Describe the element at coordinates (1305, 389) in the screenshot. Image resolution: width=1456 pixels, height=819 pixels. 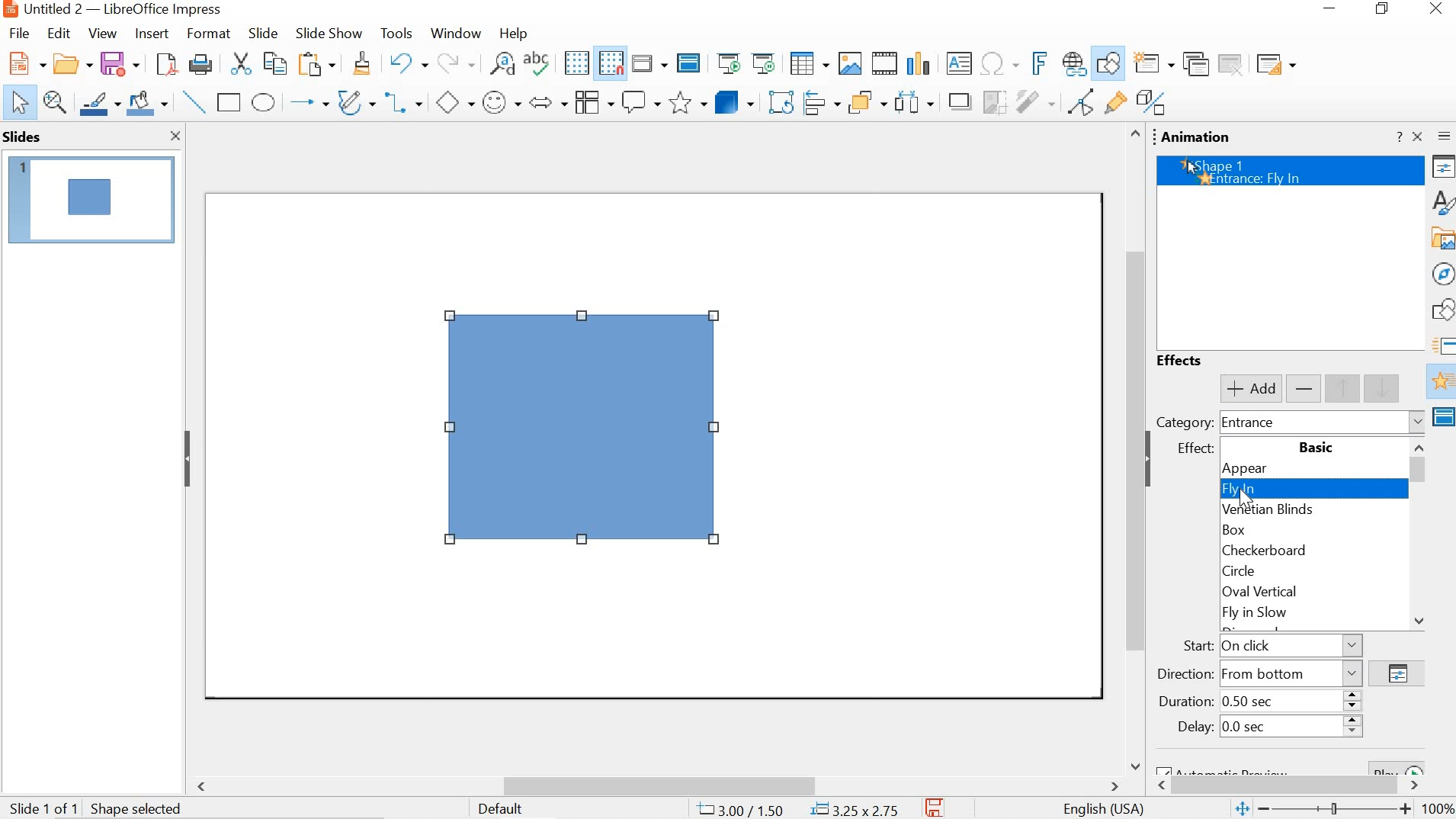
I see `remove effect` at that location.